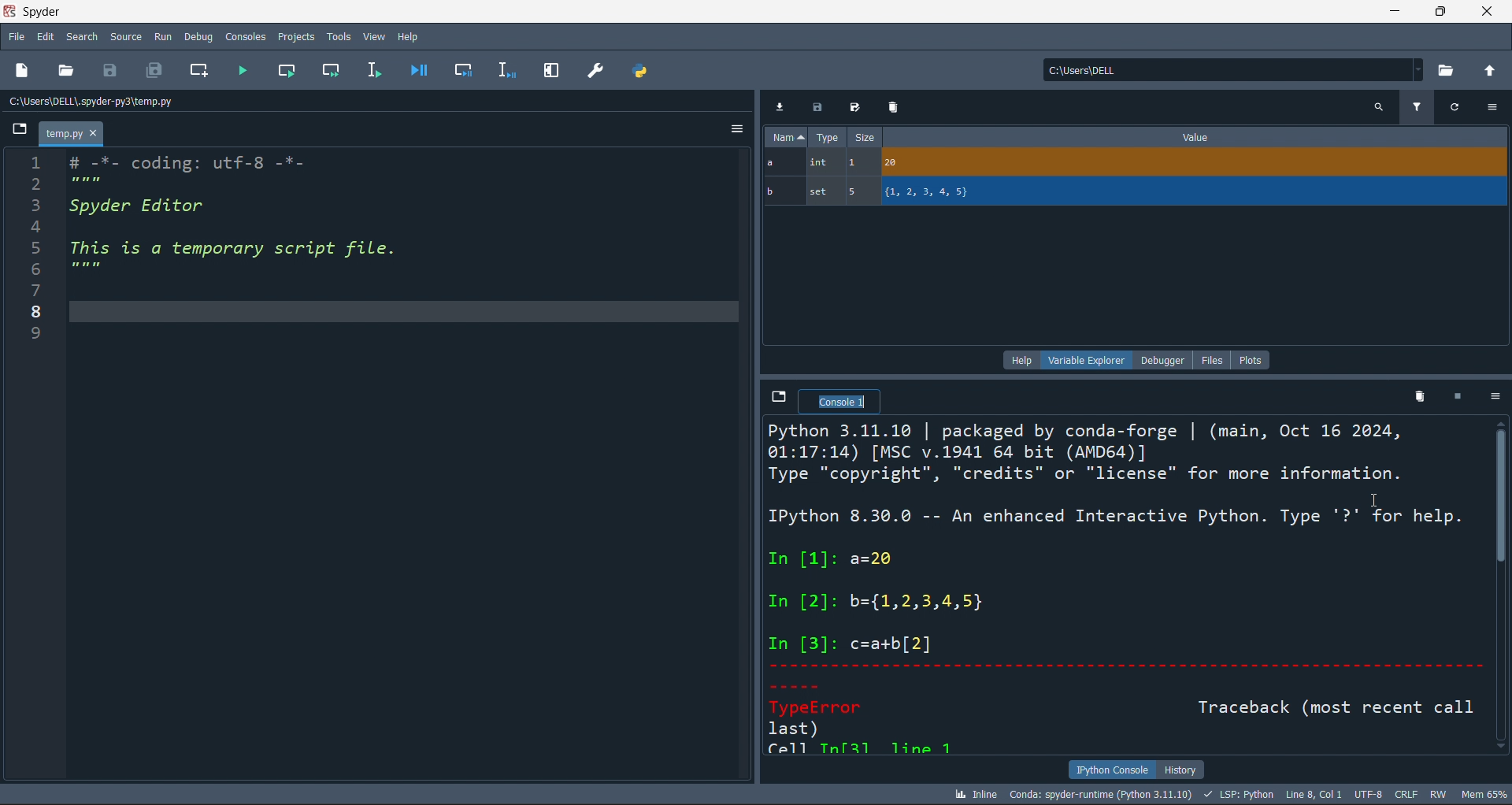  What do you see at coordinates (781, 105) in the screenshot?
I see `import data` at bounding box center [781, 105].